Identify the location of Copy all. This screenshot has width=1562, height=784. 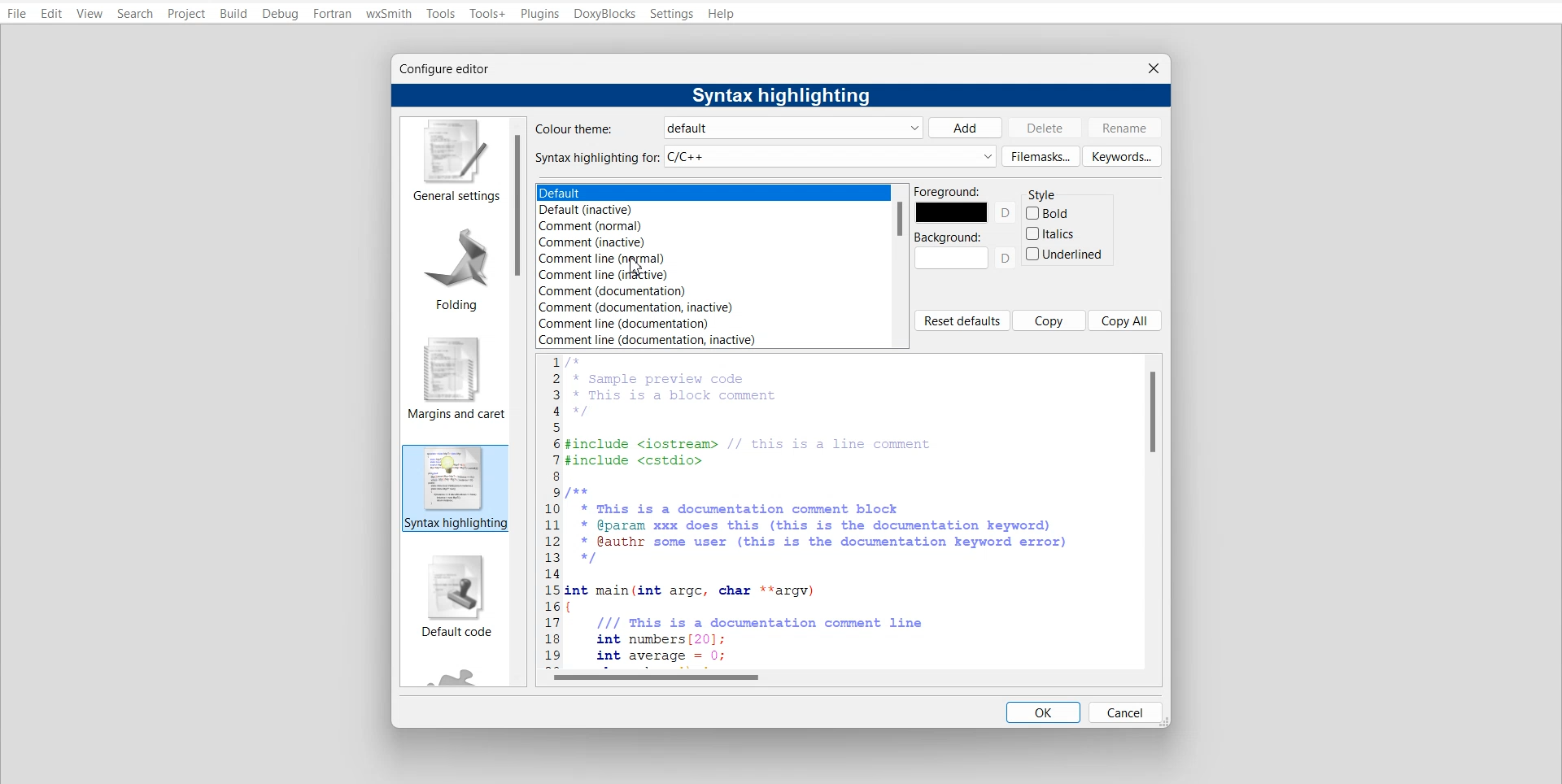
(1126, 320).